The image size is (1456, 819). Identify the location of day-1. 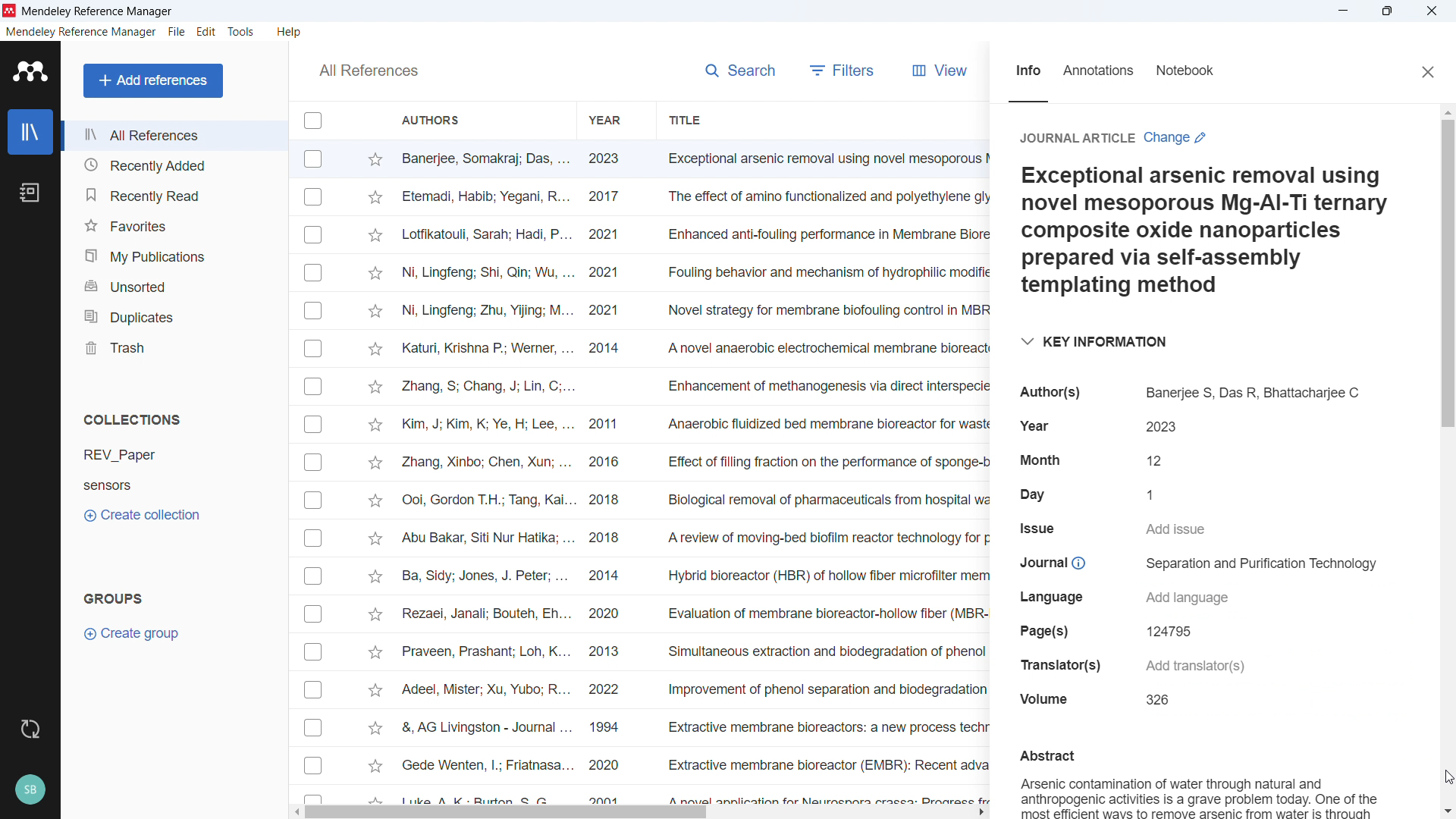
(1159, 494).